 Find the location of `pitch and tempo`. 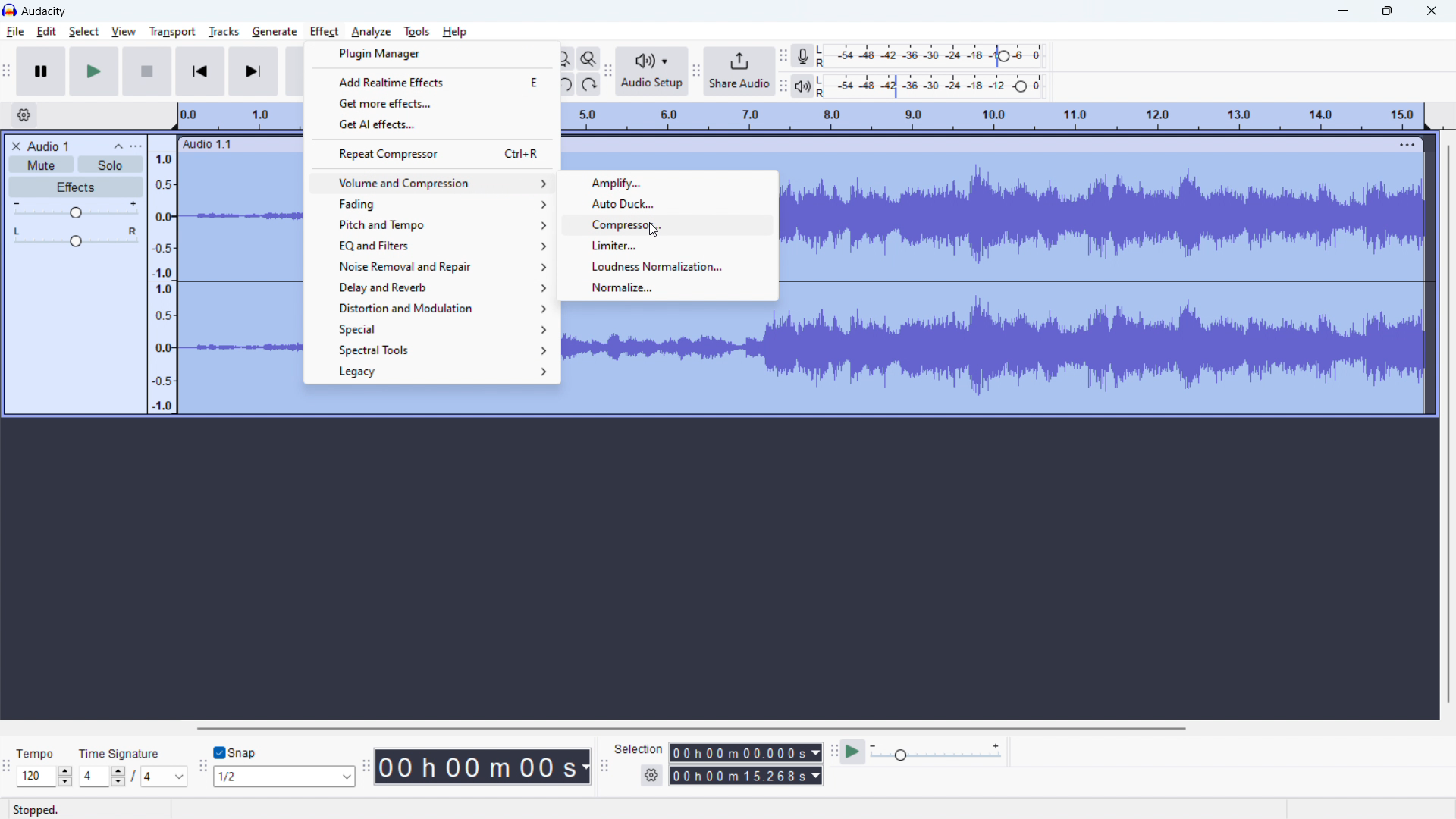

pitch and tempo is located at coordinates (429, 224).